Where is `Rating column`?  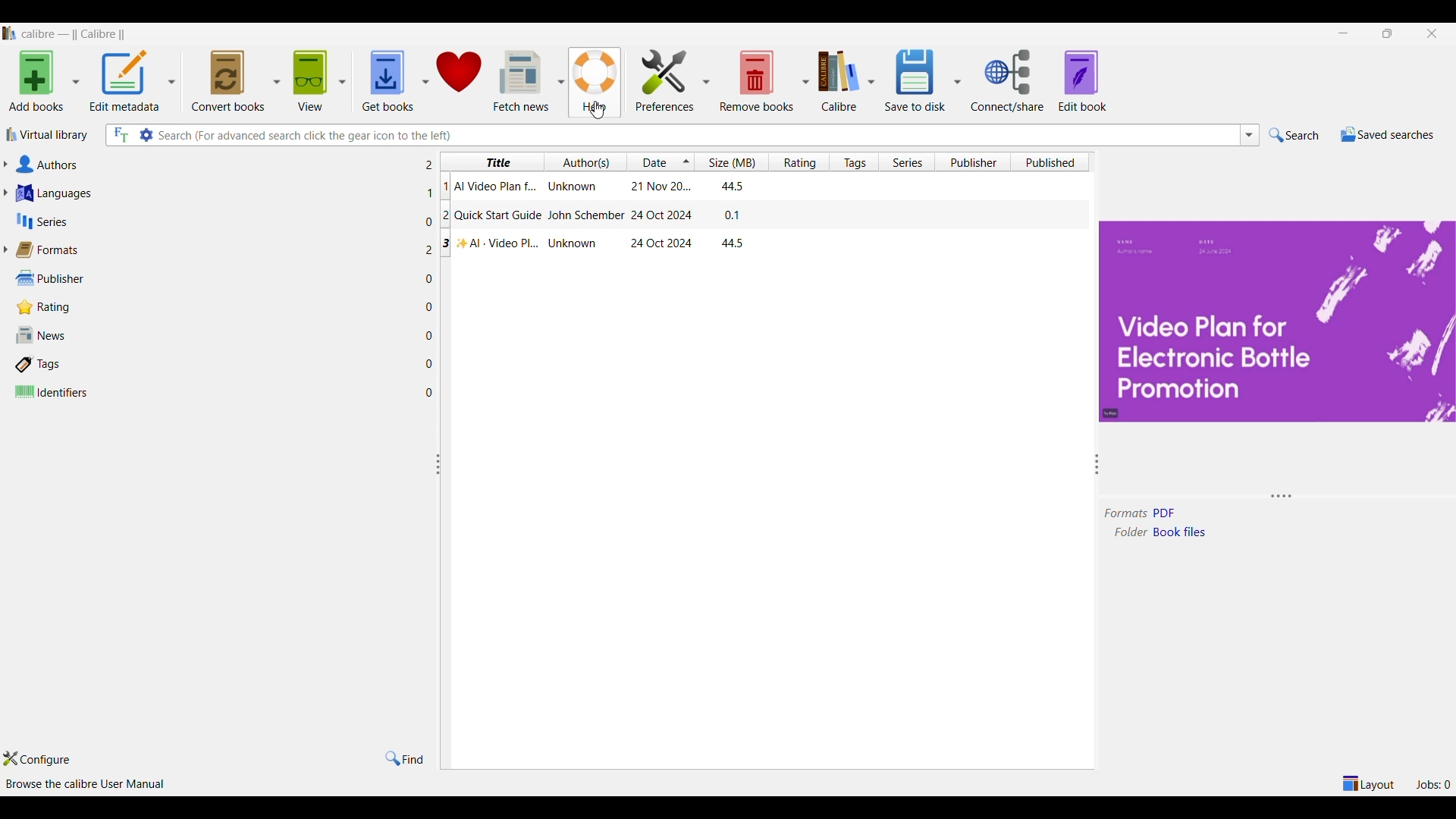 Rating column is located at coordinates (801, 162).